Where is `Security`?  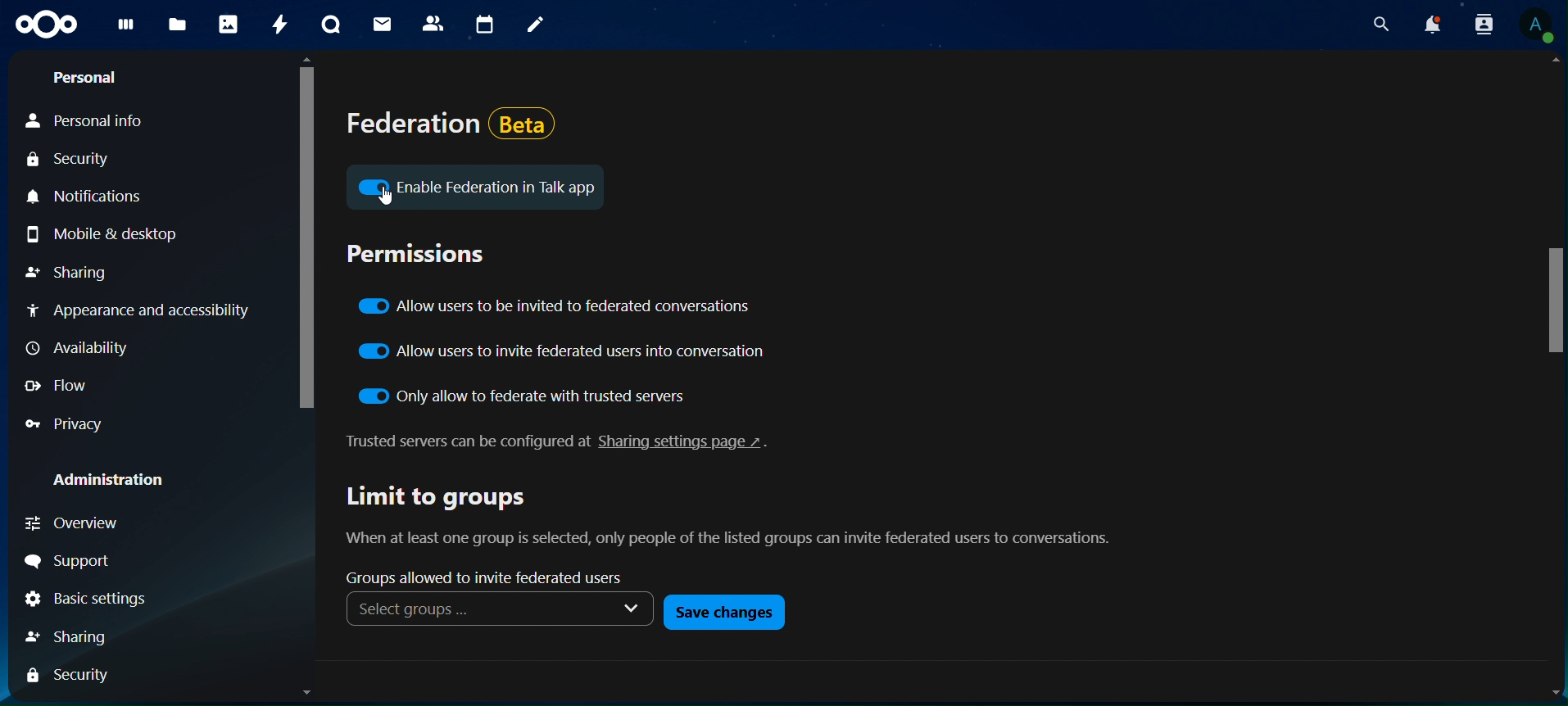
Security is located at coordinates (69, 159).